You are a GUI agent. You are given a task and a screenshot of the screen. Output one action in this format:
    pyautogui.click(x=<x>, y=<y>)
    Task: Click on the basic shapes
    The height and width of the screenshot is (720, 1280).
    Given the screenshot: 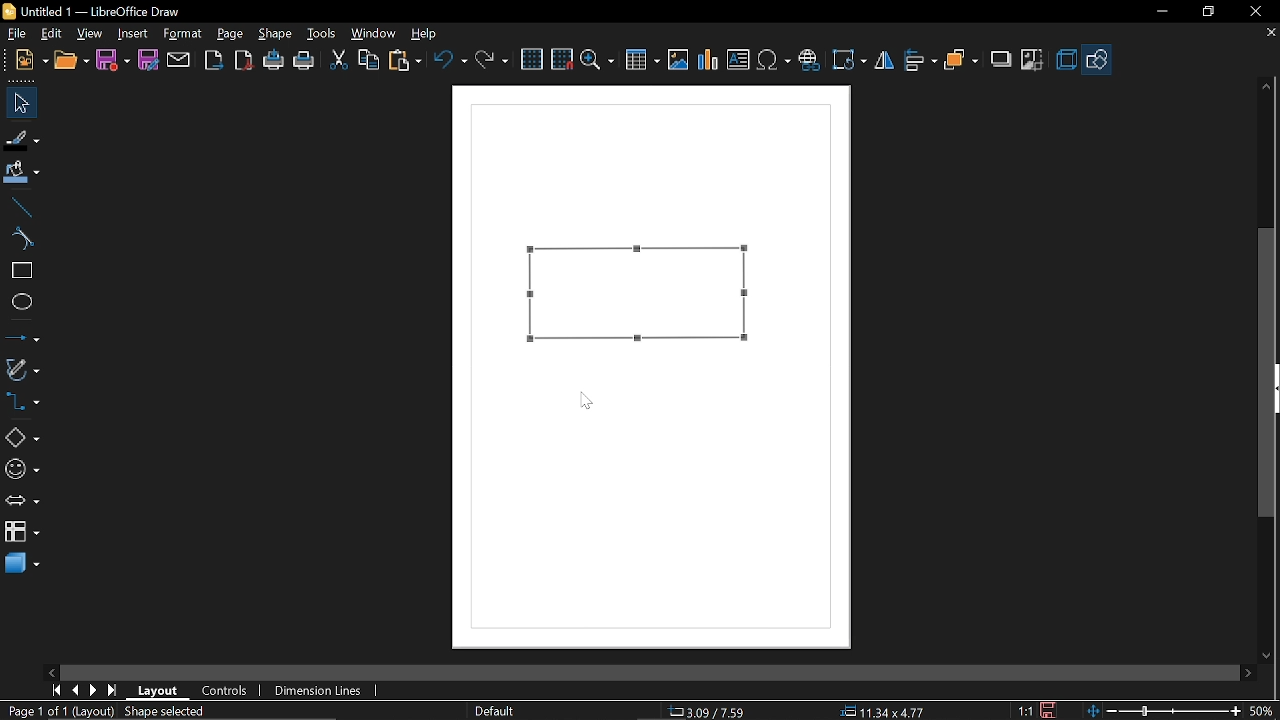 What is the action you would take?
    pyautogui.click(x=20, y=440)
    